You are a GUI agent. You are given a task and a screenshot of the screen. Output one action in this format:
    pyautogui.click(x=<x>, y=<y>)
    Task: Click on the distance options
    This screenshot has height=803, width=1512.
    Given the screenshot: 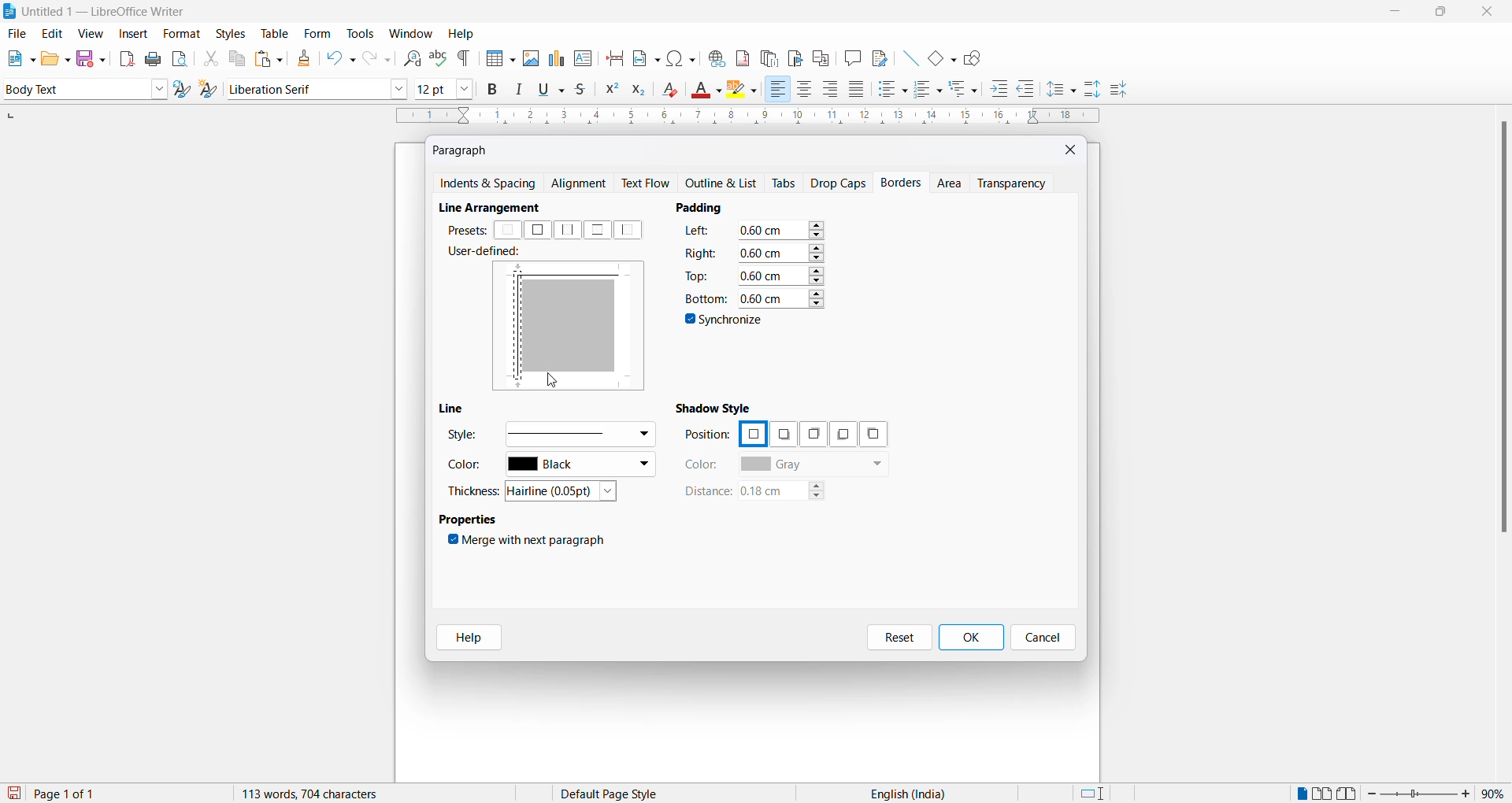 What is the action you would take?
    pyautogui.click(x=790, y=494)
    